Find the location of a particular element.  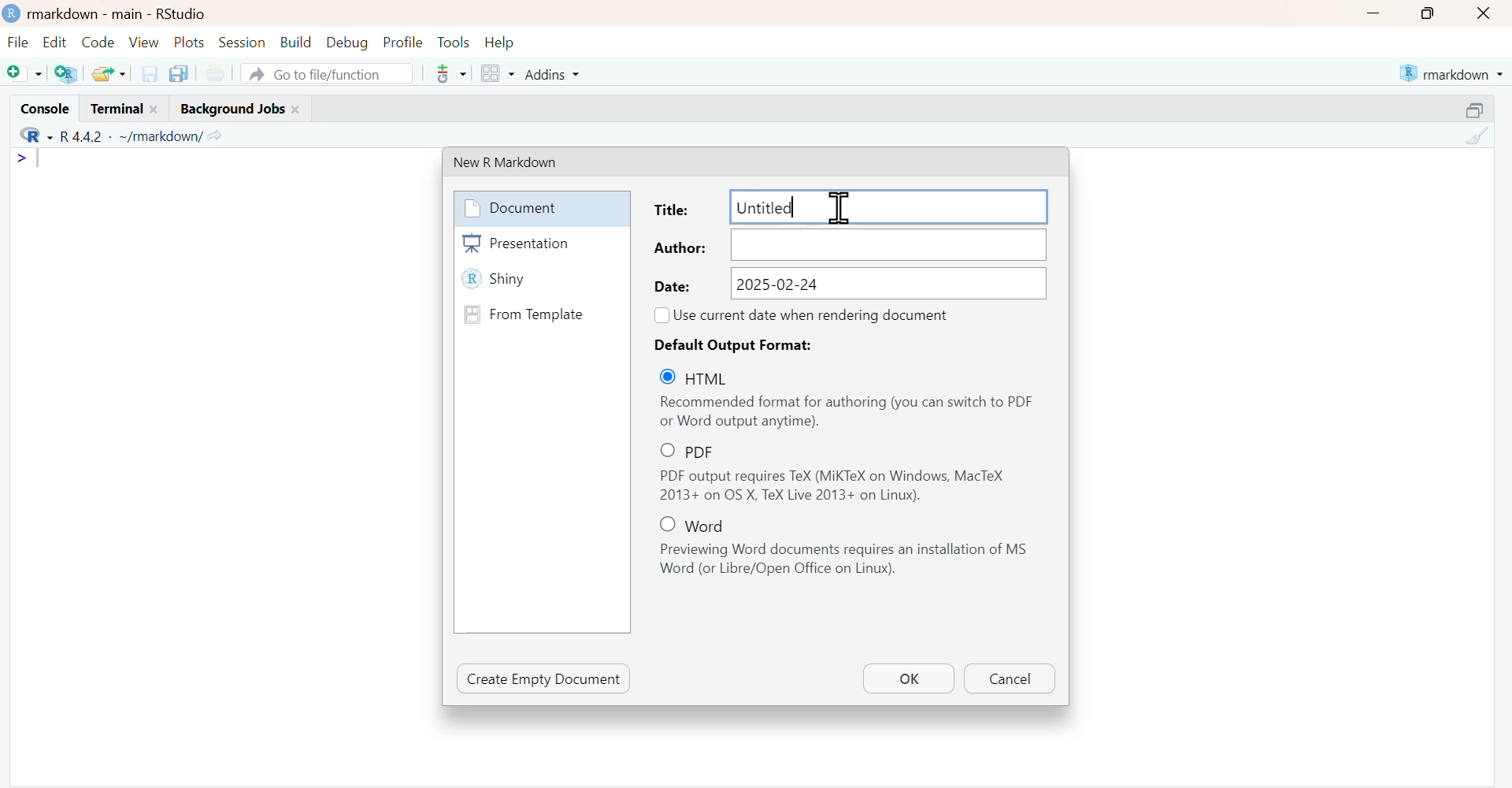

Close is located at coordinates (1485, 13).